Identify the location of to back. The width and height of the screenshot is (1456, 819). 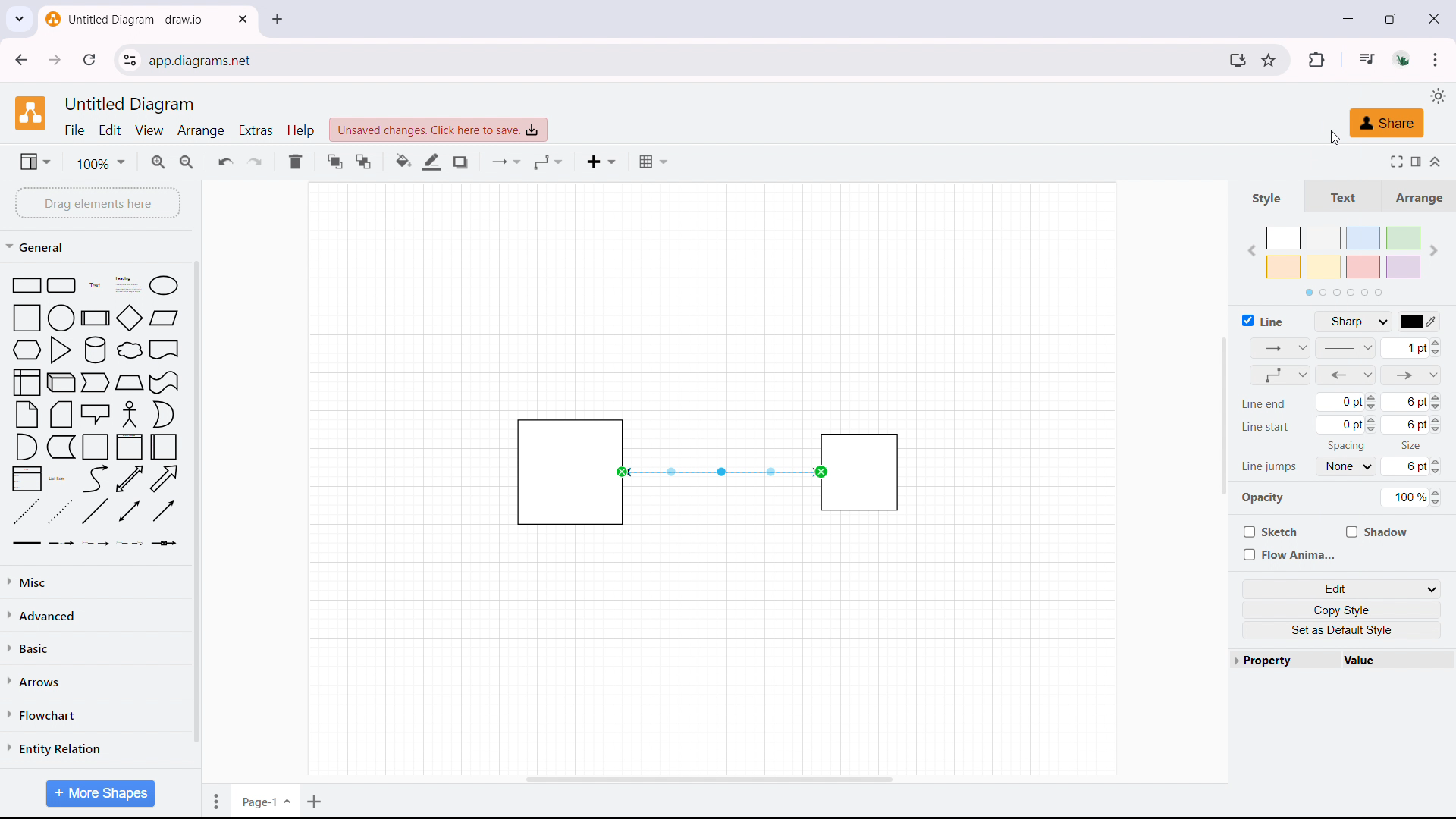
(363, 162).